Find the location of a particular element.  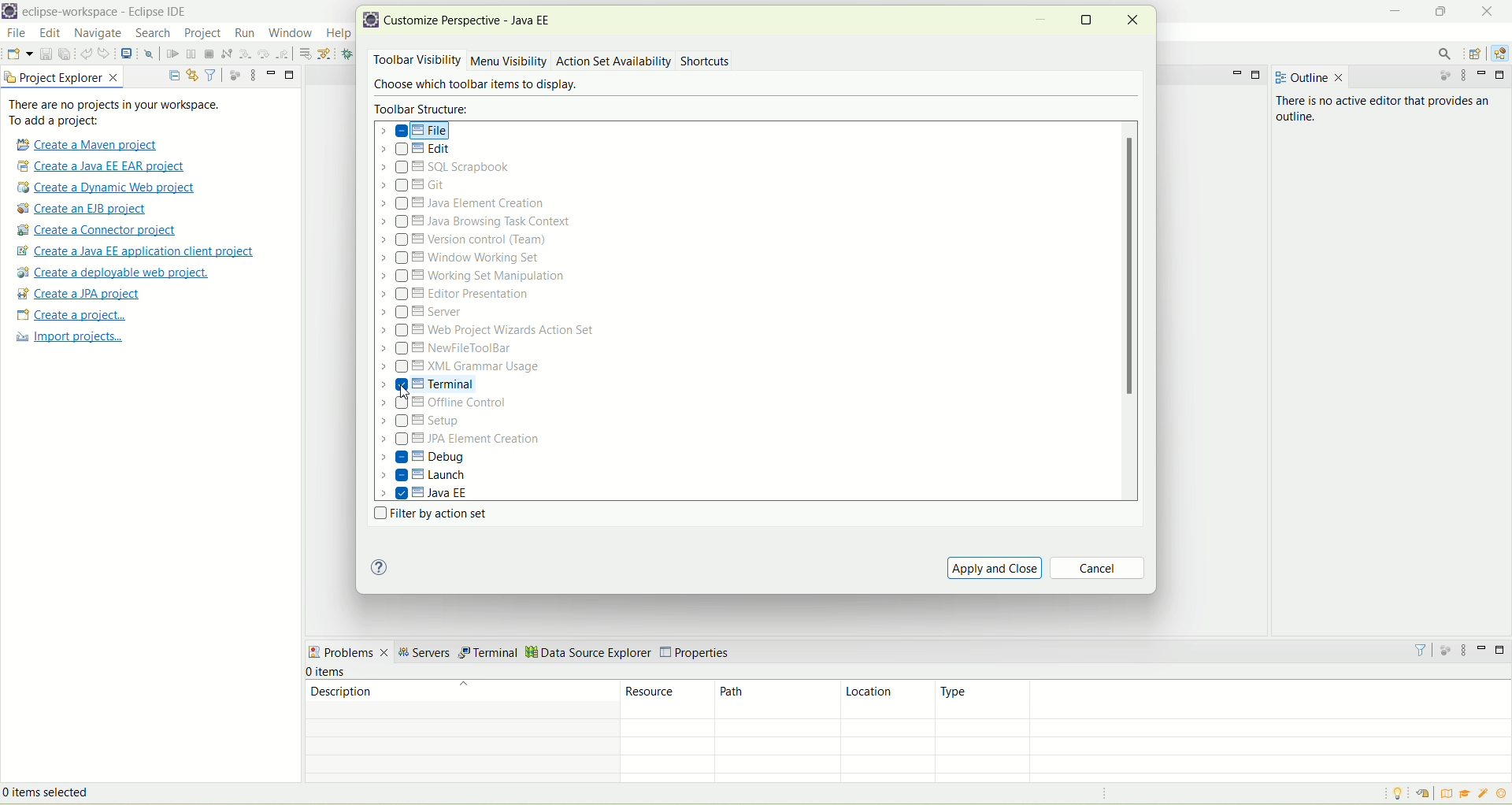

create a Java EE EAR project is located at coordinates (102, 166).